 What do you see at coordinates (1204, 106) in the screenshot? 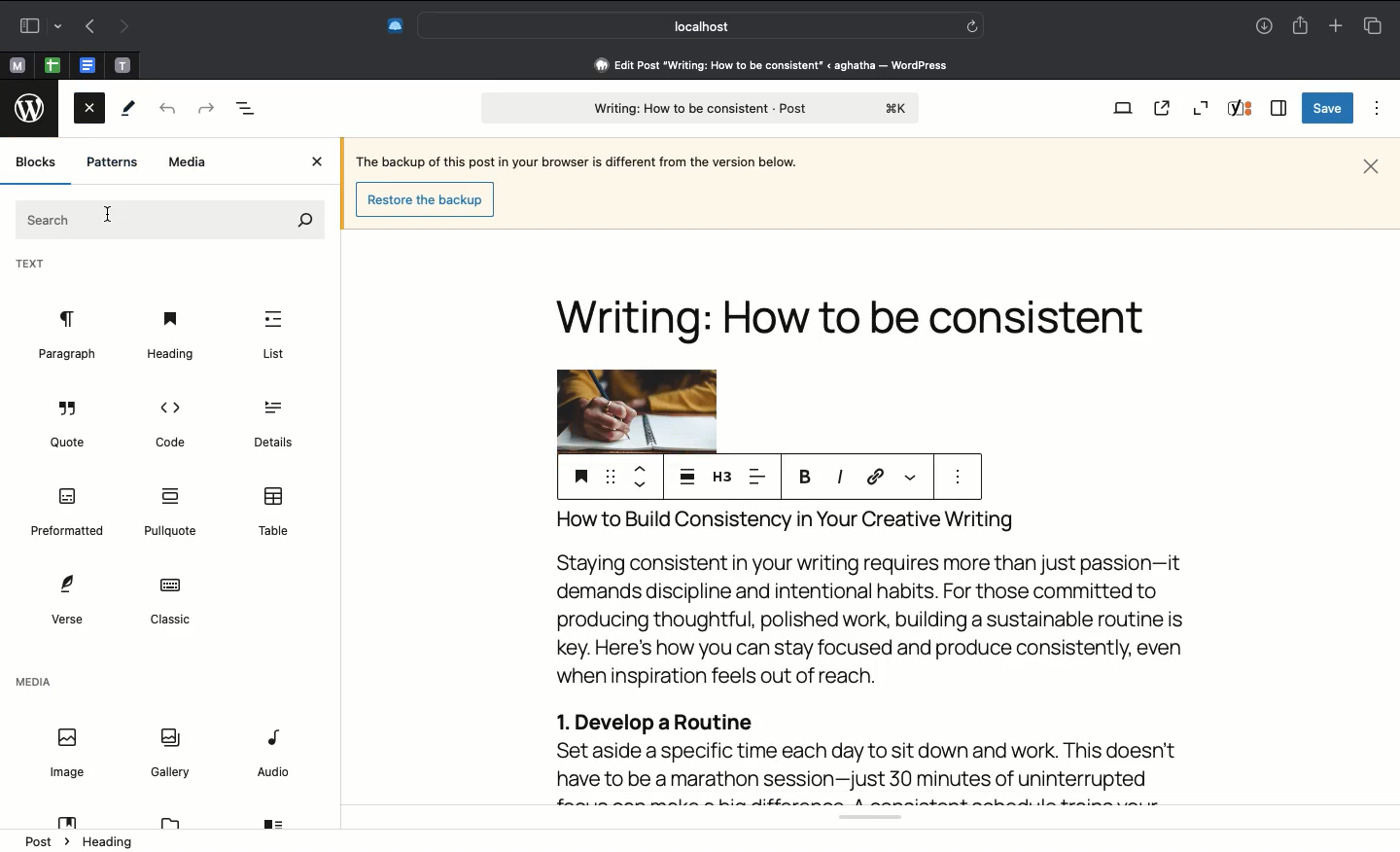
I see `Zoom out` at bounding box center [1204, 106].